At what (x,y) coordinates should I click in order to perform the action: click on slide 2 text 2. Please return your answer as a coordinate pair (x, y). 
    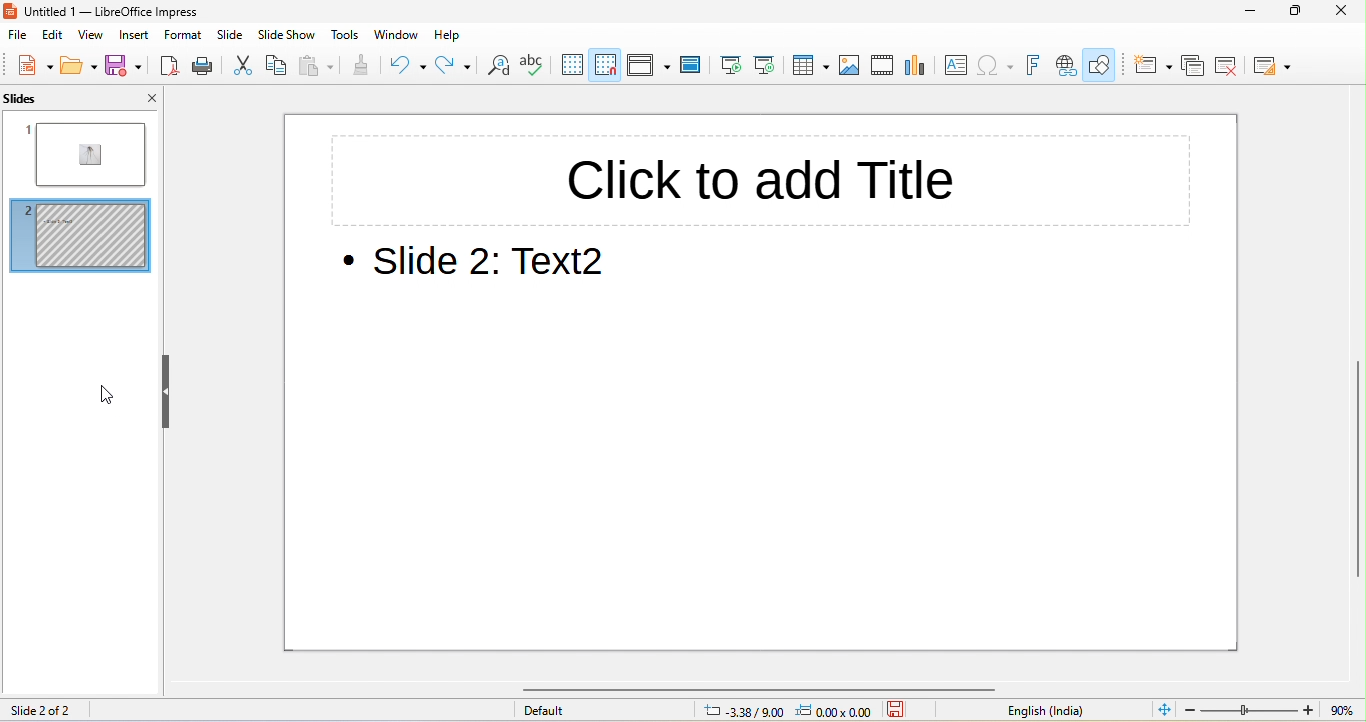
    Looking at the image, I should click on (484, 265).